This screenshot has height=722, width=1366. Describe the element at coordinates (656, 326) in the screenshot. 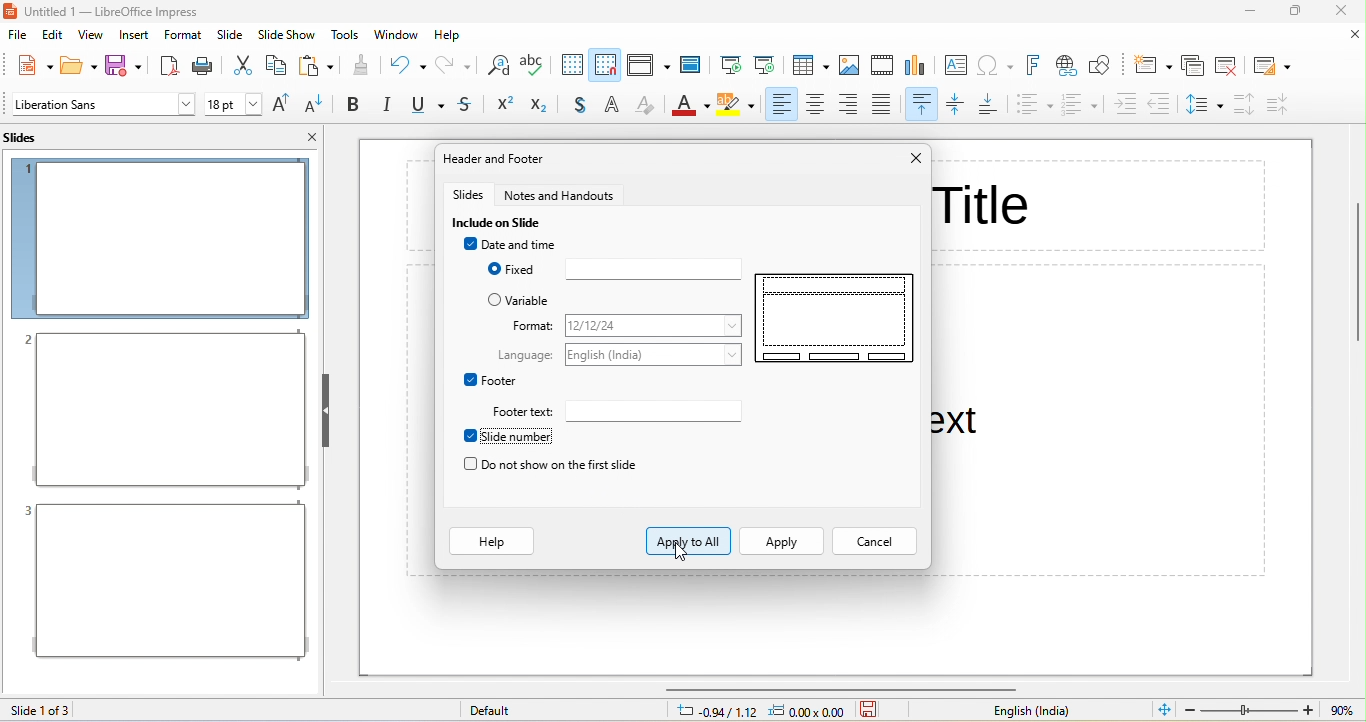

I see `format` at that location.